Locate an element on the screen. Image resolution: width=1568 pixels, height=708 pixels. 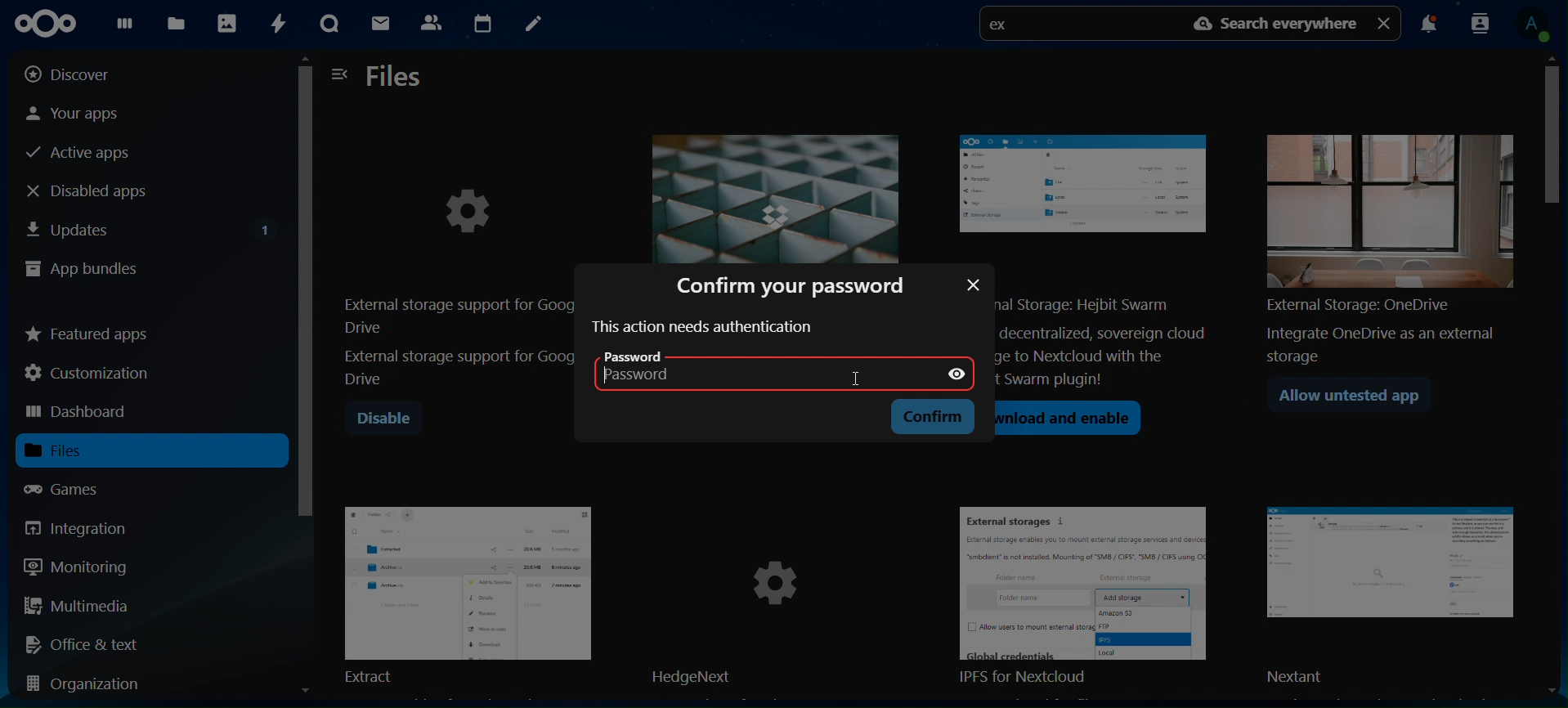
discover is located at coordinates (80, 74).